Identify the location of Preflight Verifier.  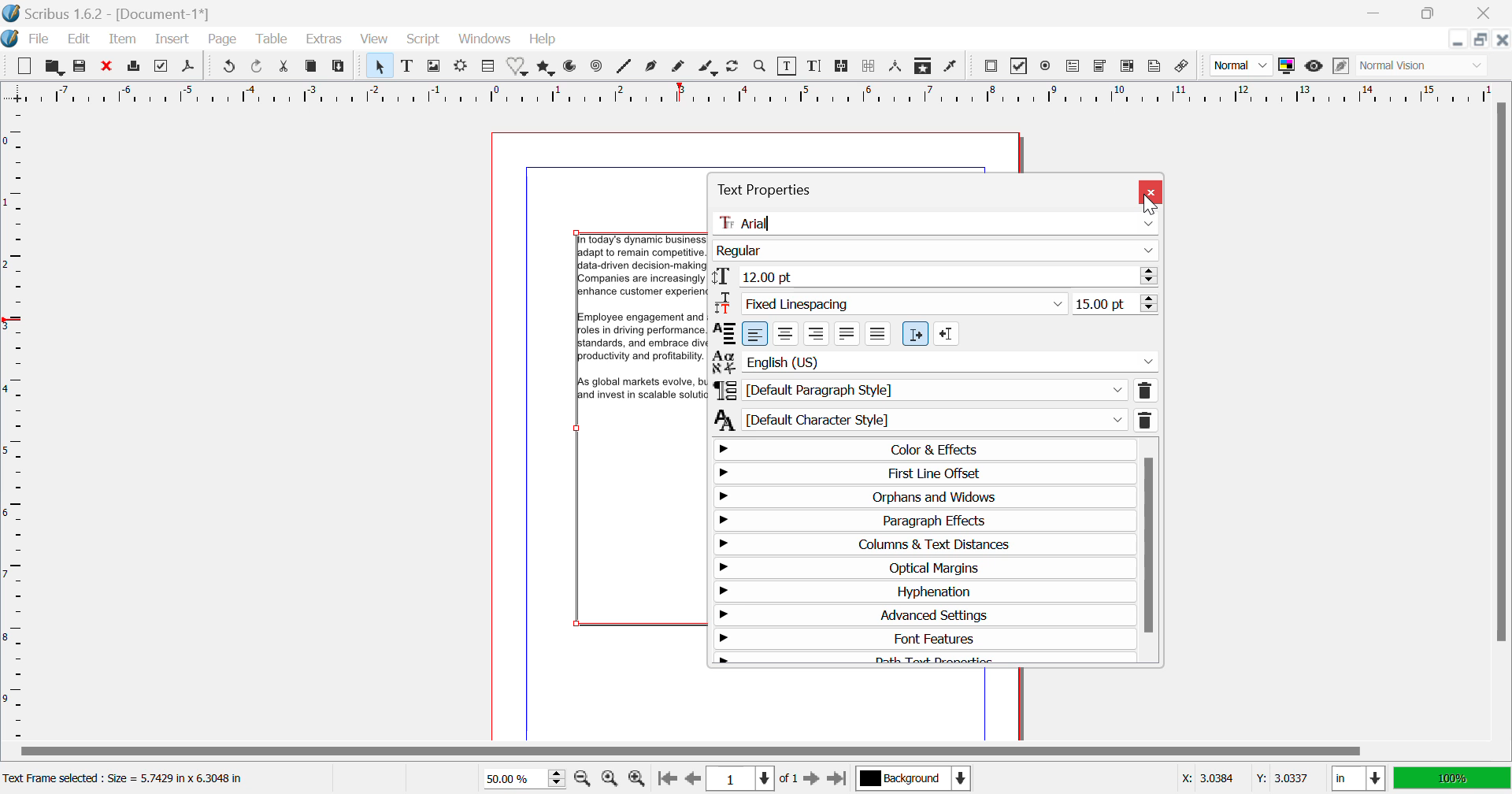
(165, 66).